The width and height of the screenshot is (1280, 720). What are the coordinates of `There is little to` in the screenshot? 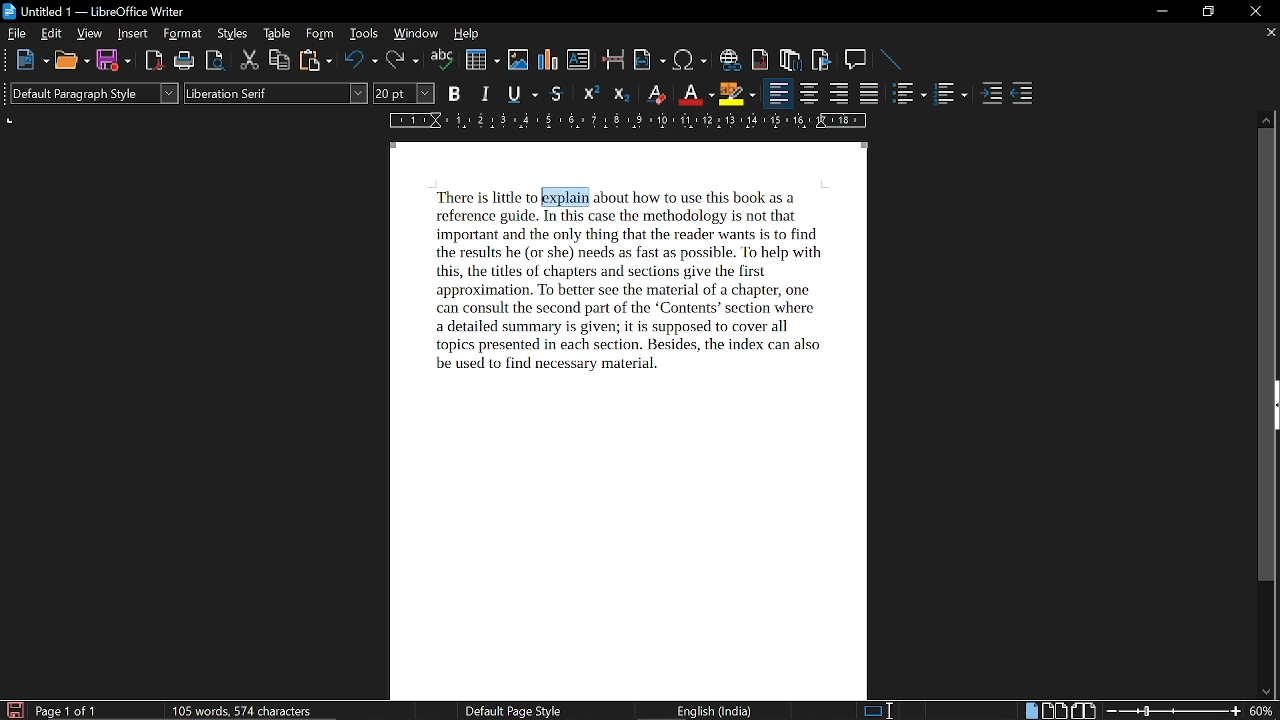 It's located at (483, 197).